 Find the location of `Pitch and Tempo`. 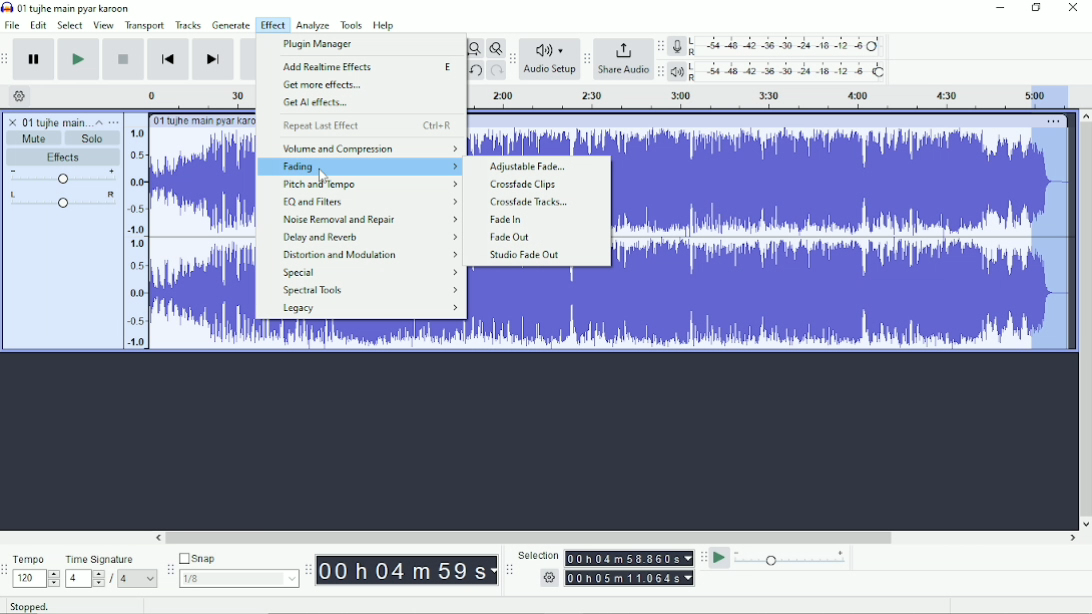

Pitch and Tempo is located at coordinates (369, 185).